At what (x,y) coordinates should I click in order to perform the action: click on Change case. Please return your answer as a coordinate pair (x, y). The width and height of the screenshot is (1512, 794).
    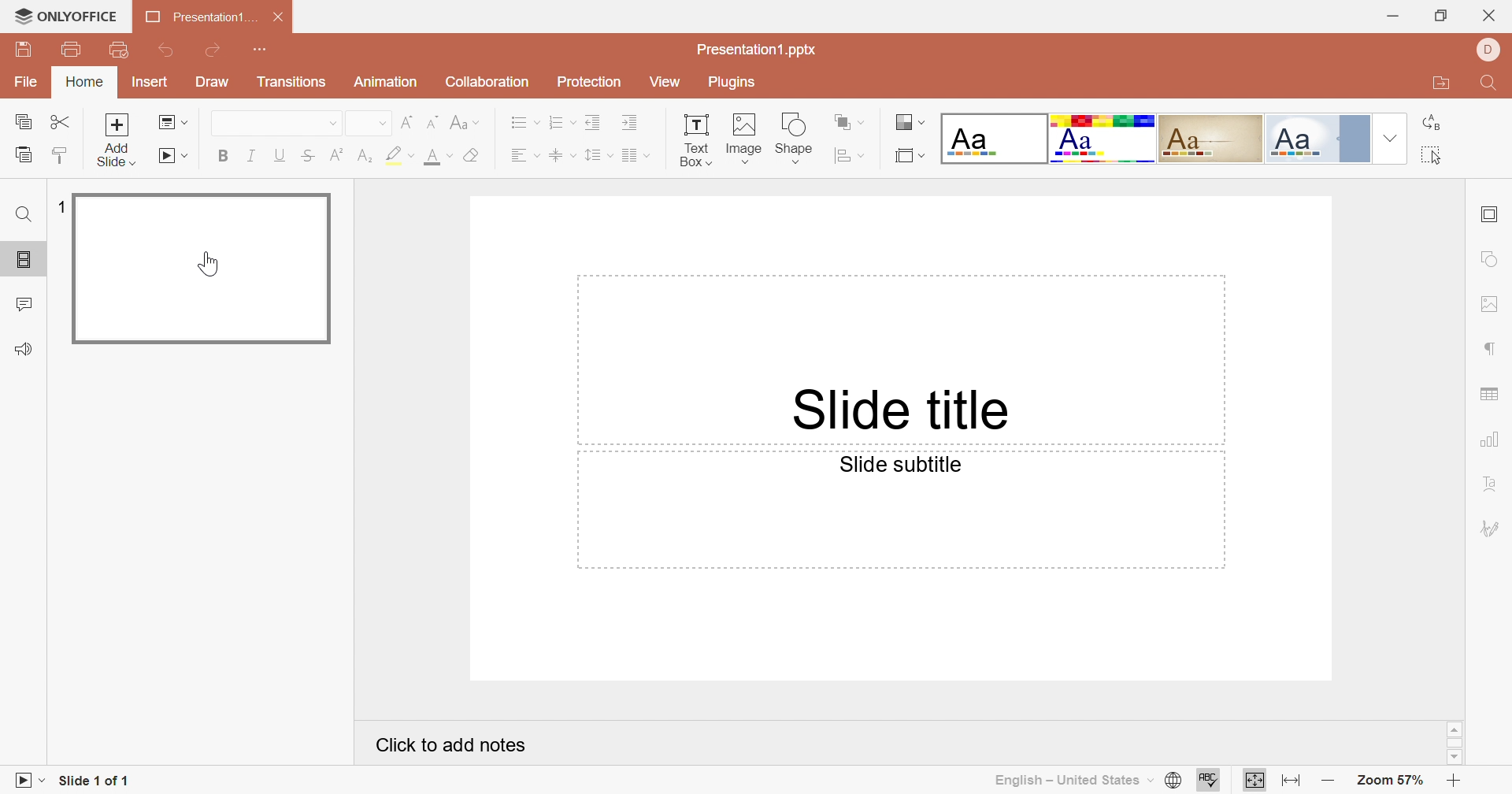
    Looking at the image, I should click on (466, 120).